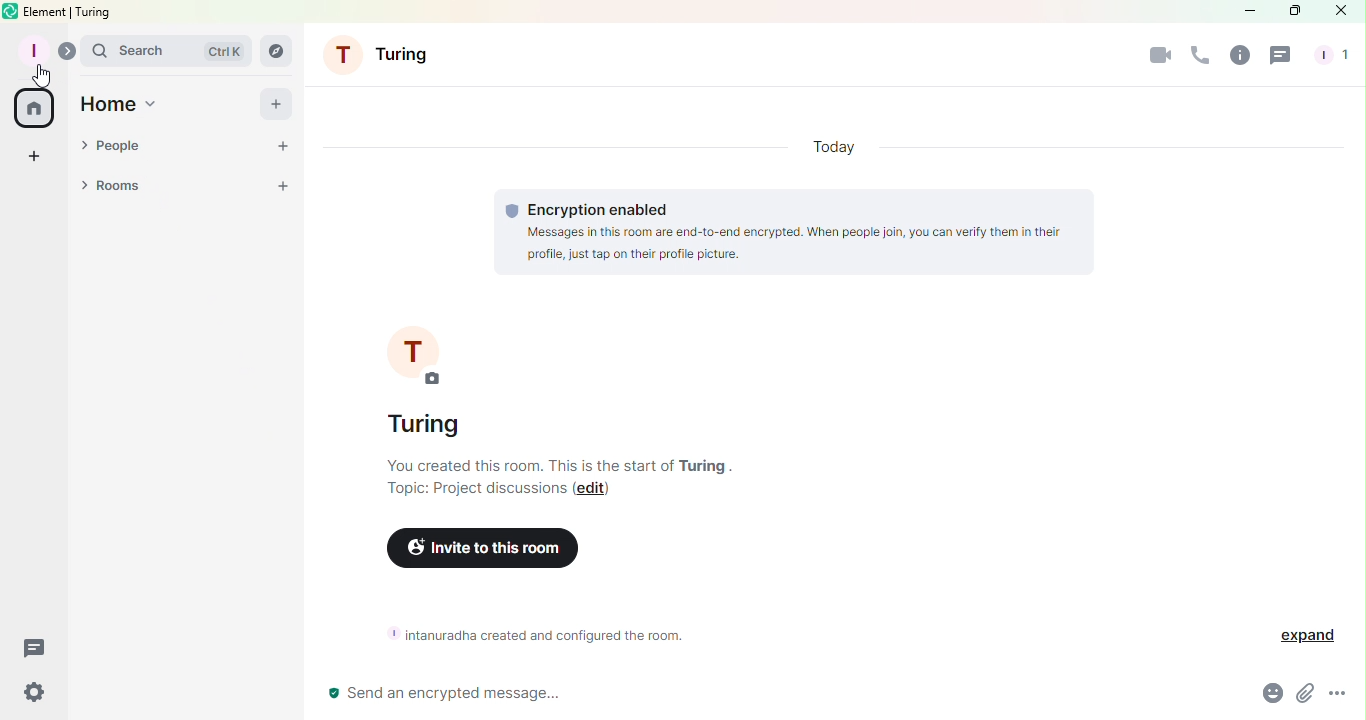 Image resolution: width=1366 pixels, height=720 pixels. Describe the element at coordinates (279, 104) in the screenshot. I see `Add` at that location.